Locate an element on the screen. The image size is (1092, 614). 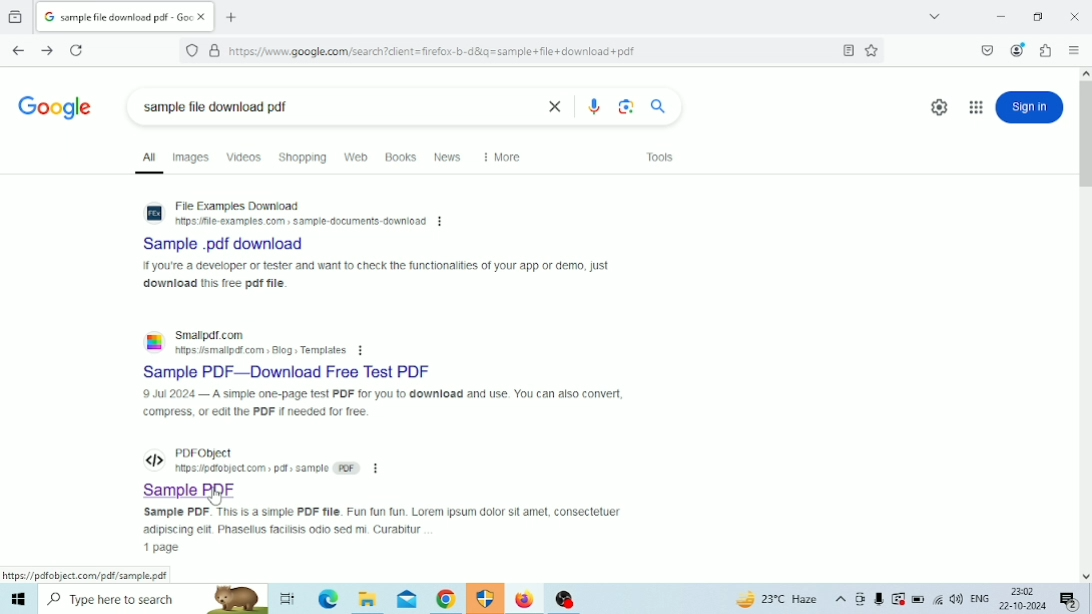
website name is located at coordinates (214, 334).